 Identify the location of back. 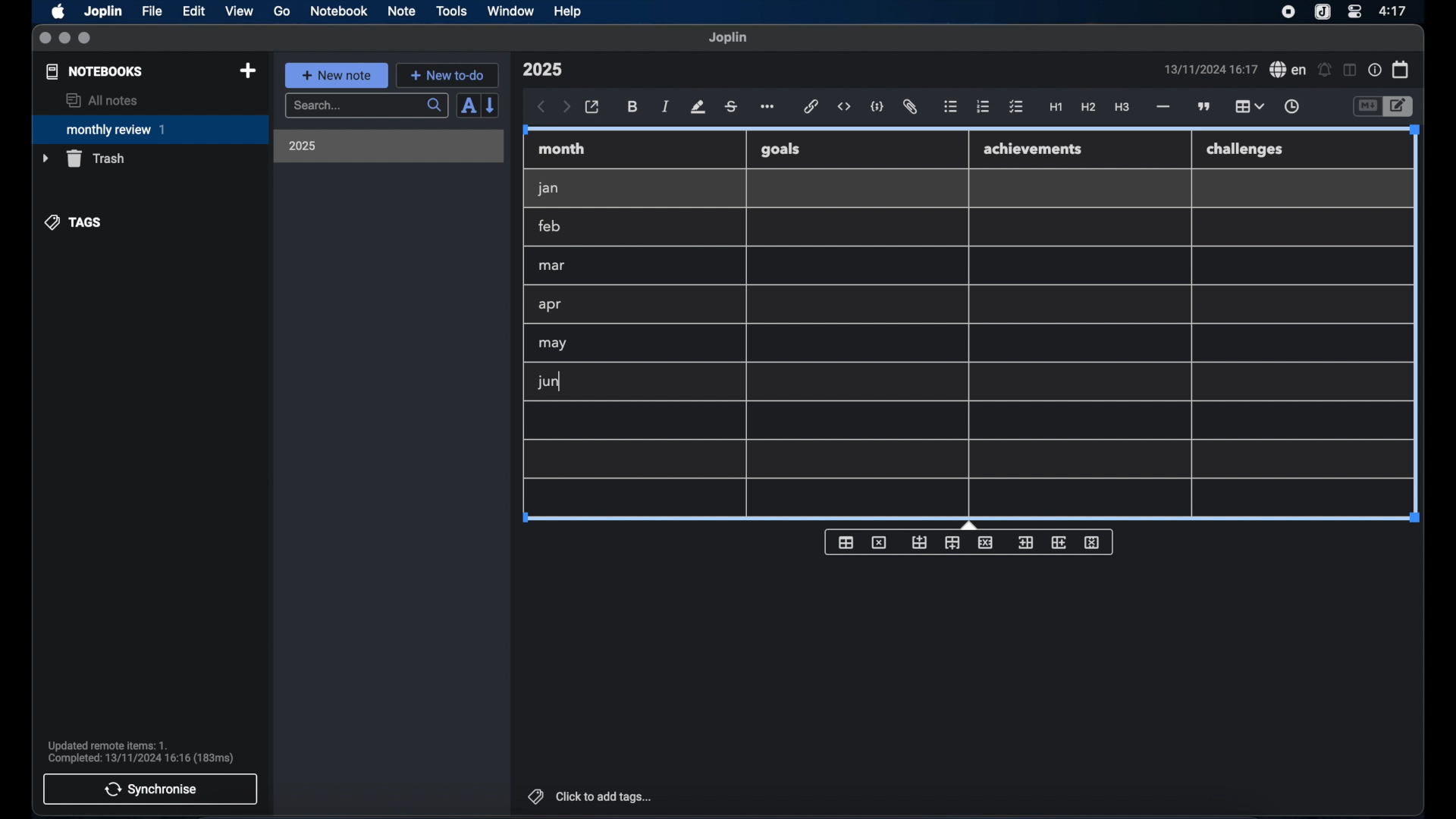
(541, 107).